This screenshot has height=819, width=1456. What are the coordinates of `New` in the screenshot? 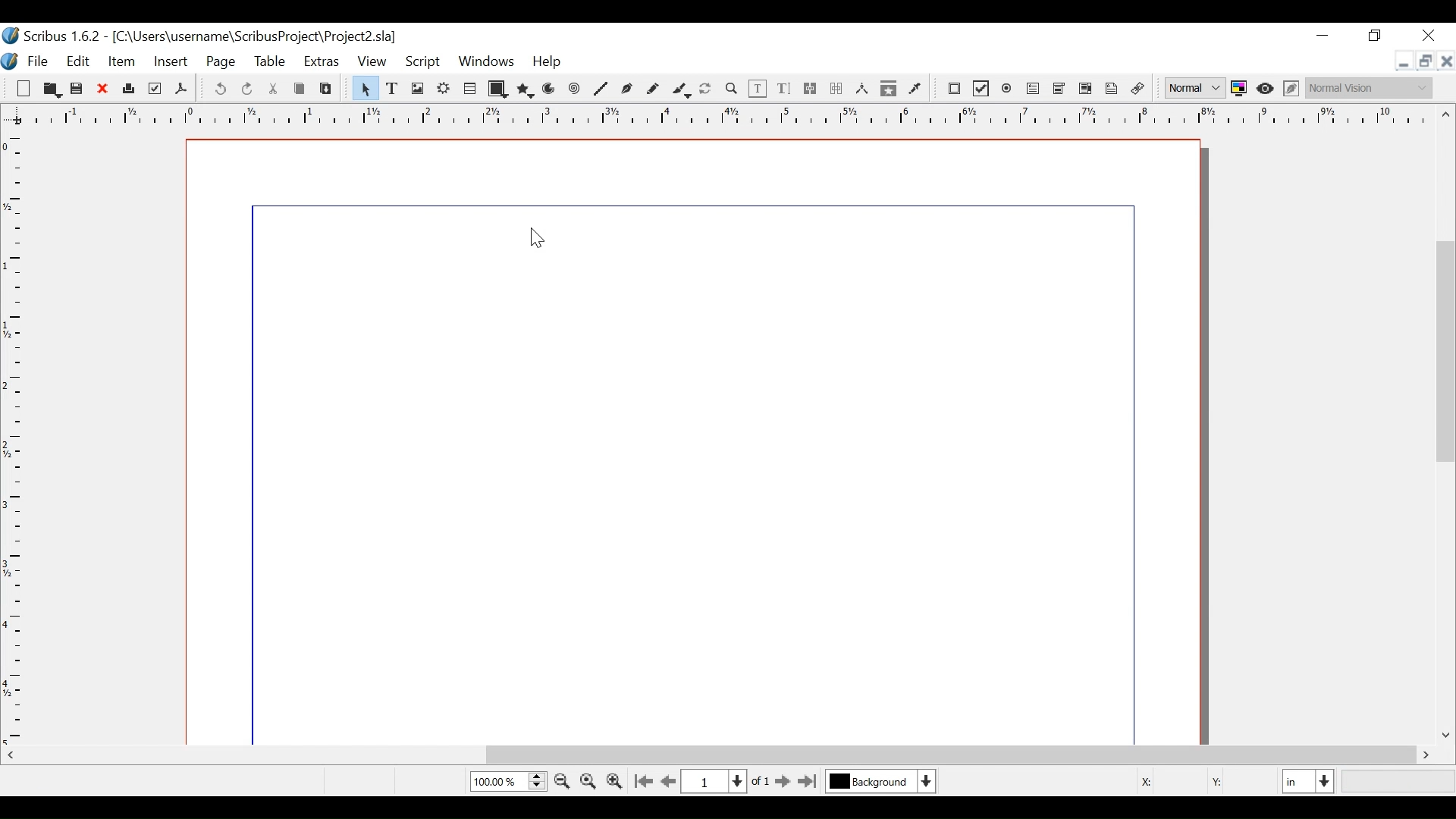 It's located at (24, 90).